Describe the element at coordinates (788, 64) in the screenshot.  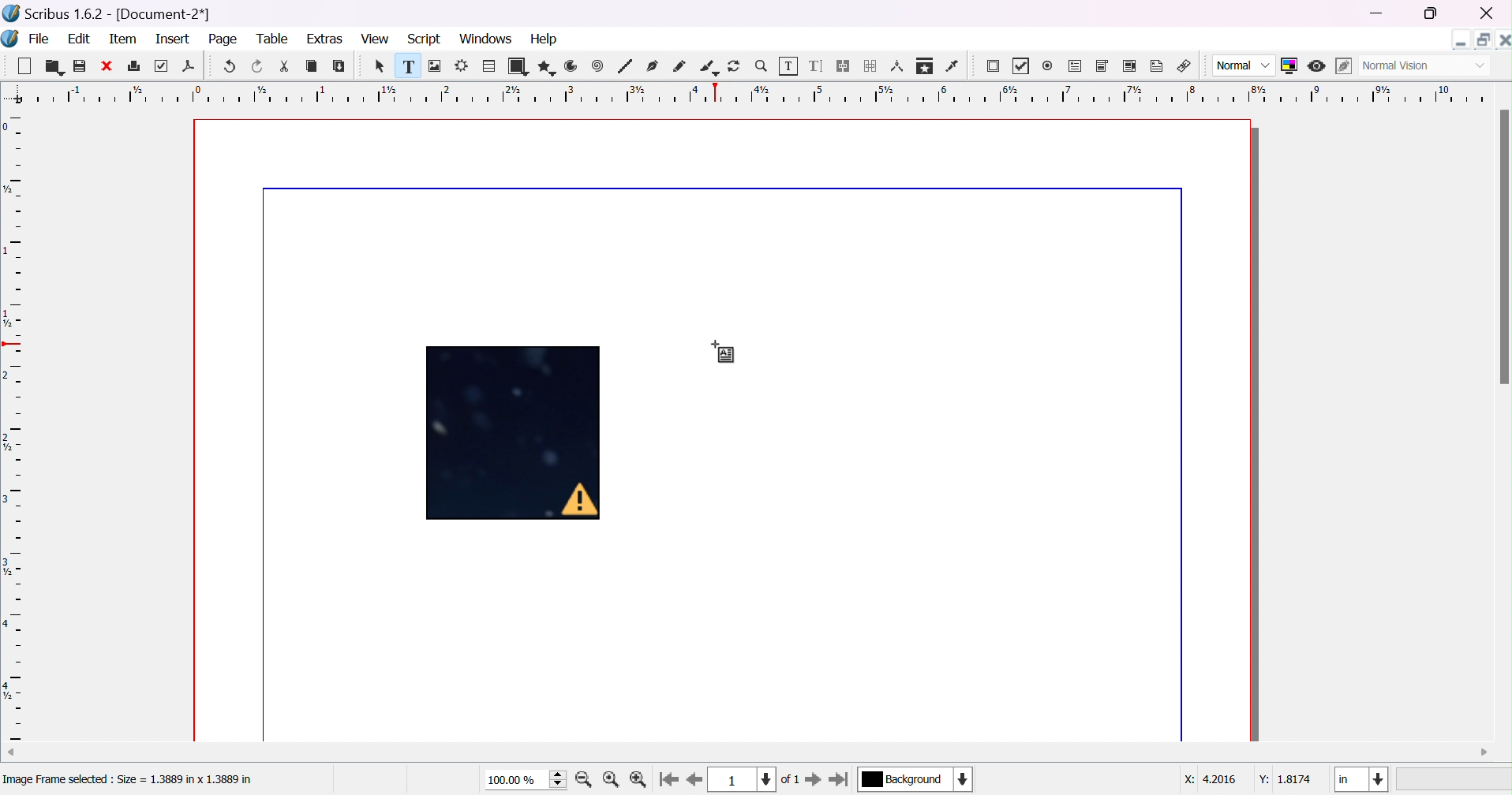
I see `edit contents of frame` at that location.